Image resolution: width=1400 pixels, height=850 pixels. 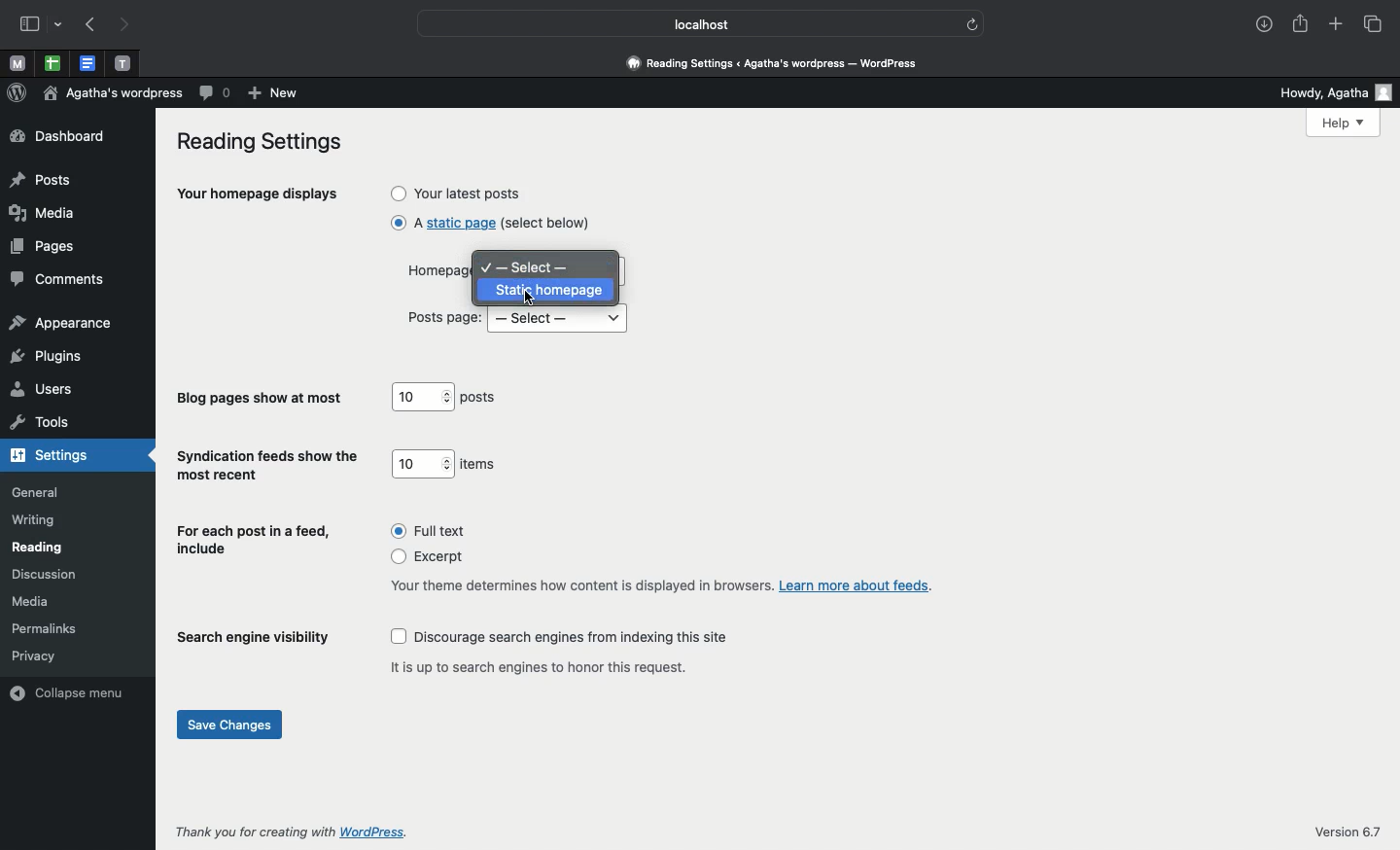 I want to click on drop-down, so click(x=61, y=26).